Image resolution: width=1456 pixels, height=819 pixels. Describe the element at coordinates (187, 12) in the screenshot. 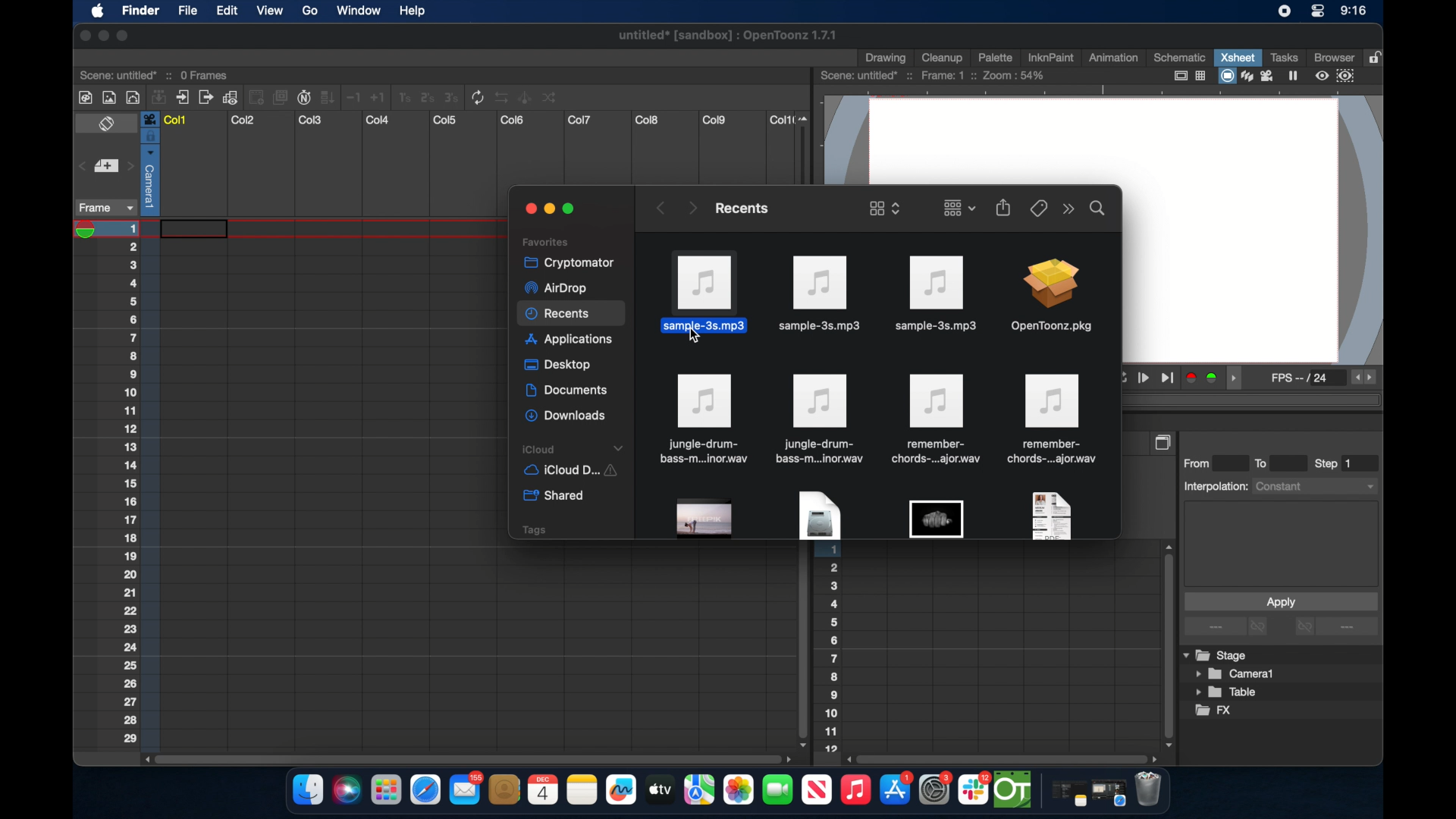

I see `file` at that location.